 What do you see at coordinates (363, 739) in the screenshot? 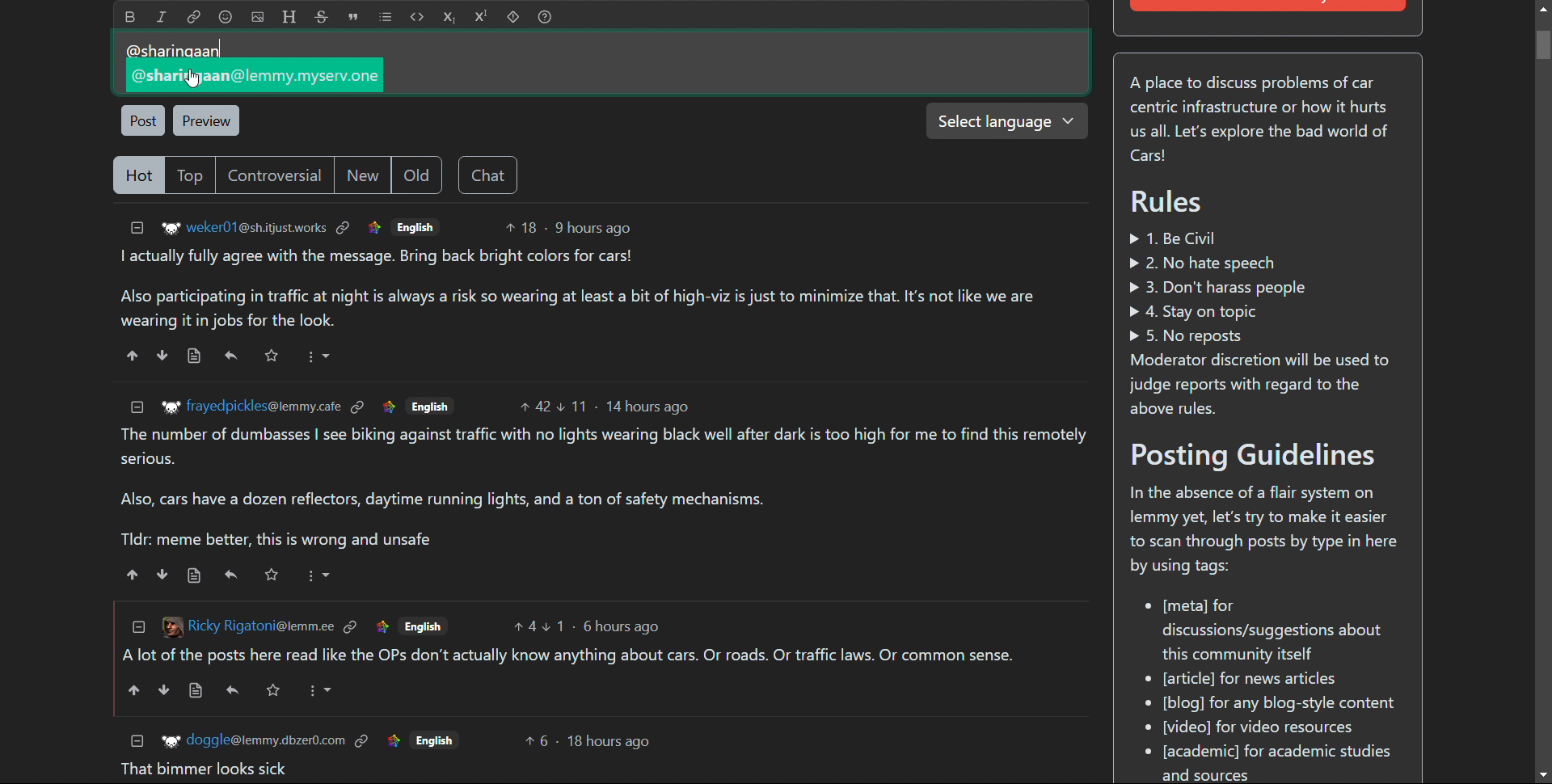
I see `link` at bounding box center [363, 739].